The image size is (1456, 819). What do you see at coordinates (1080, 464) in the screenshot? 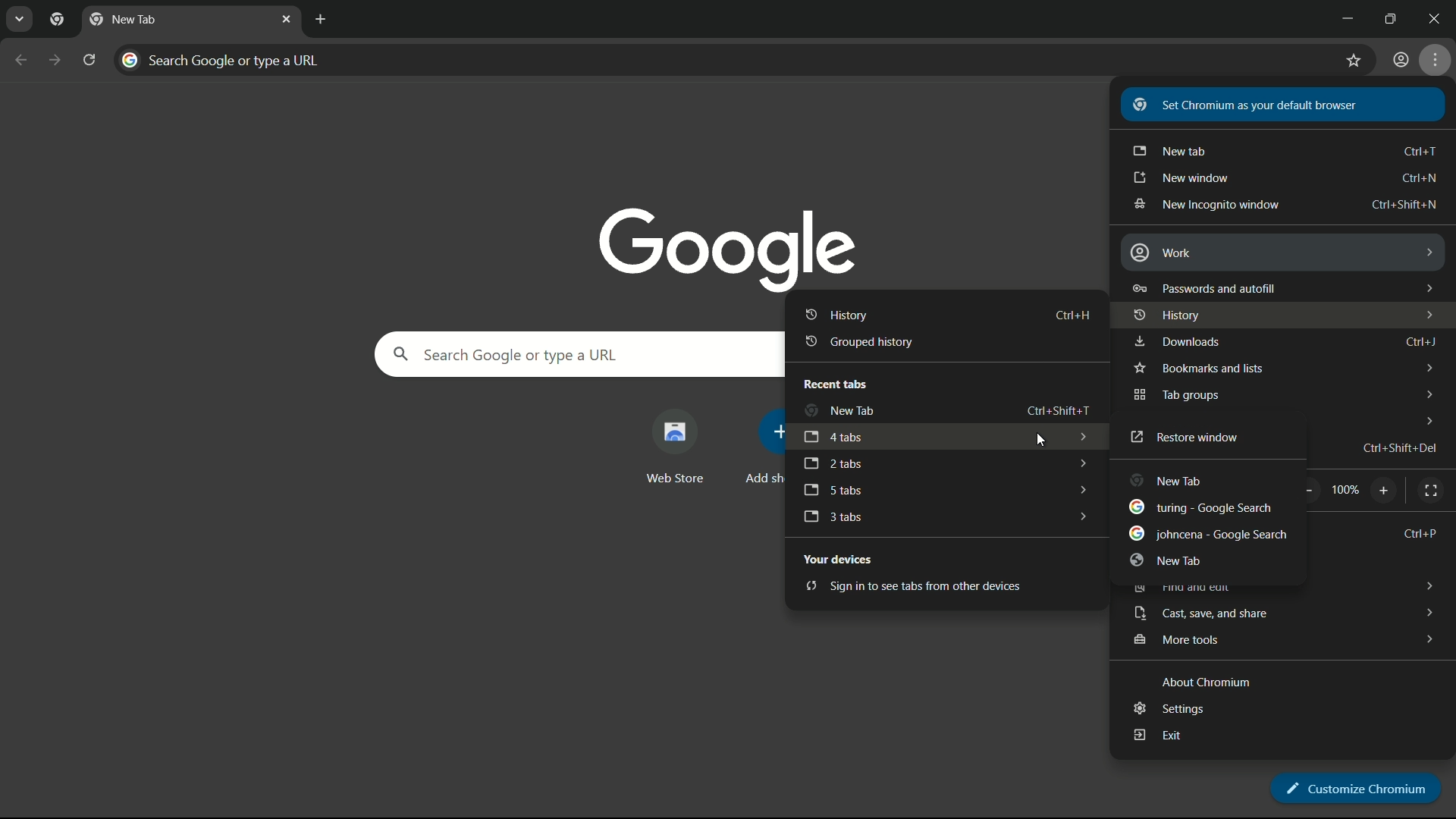
I see `dropdown arrows` at bounding box center [1080, 464].